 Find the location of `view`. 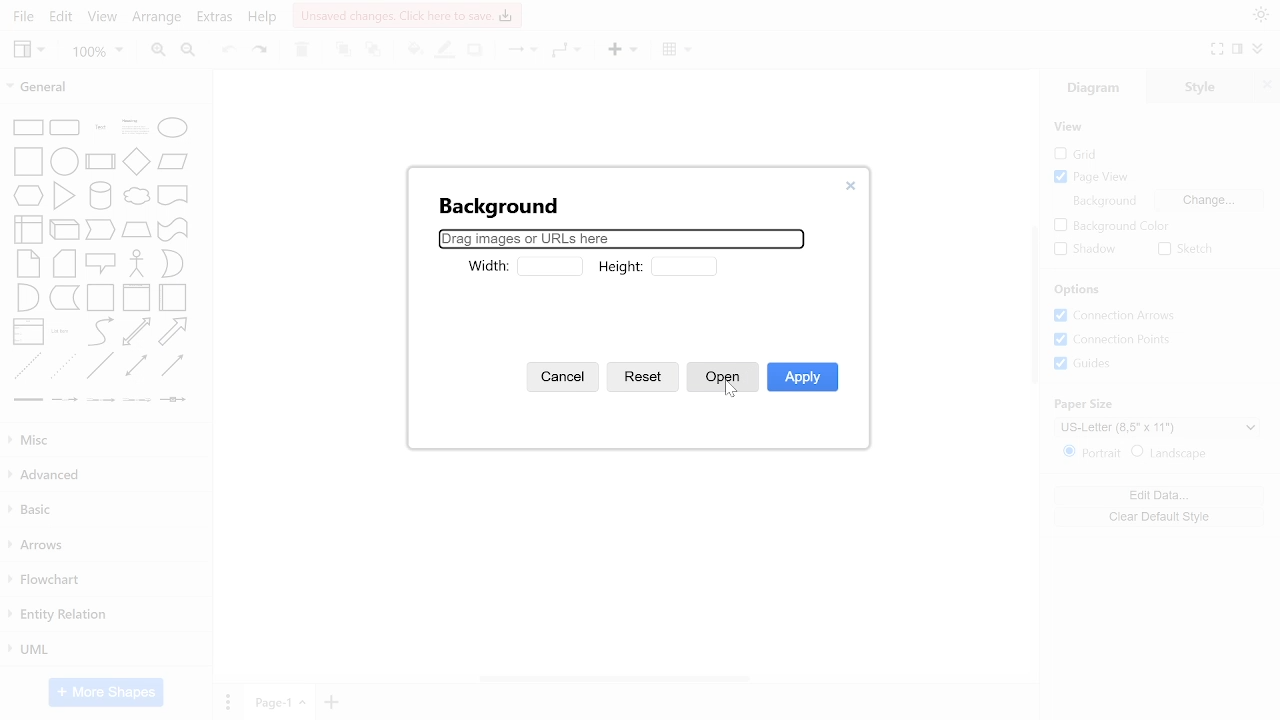

view is located at coordinates (28, 50).